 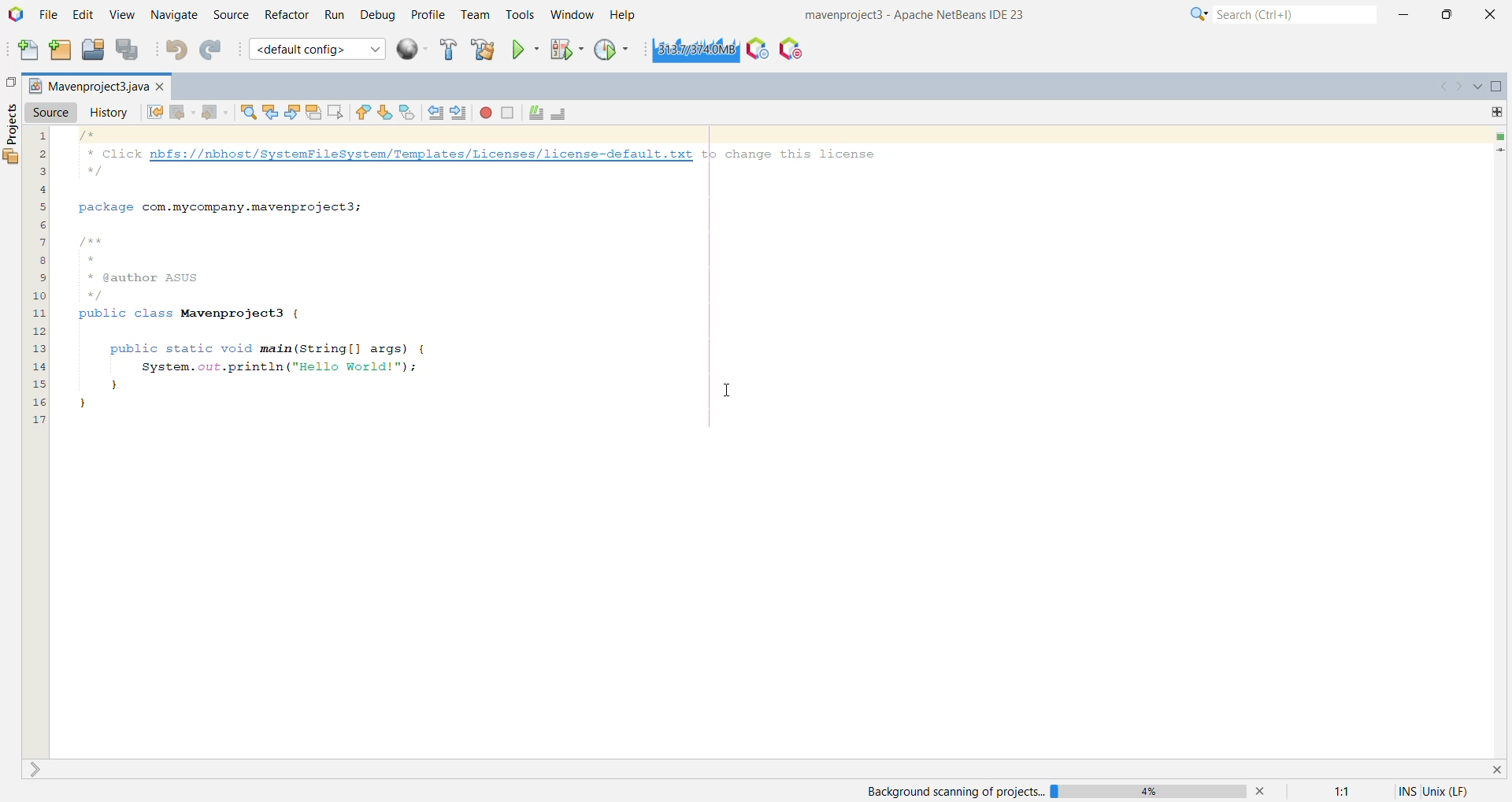 What do you see at coordinates (525, 50) in the screenshot?
I see `Run Project` at bounding box center [525, 50].